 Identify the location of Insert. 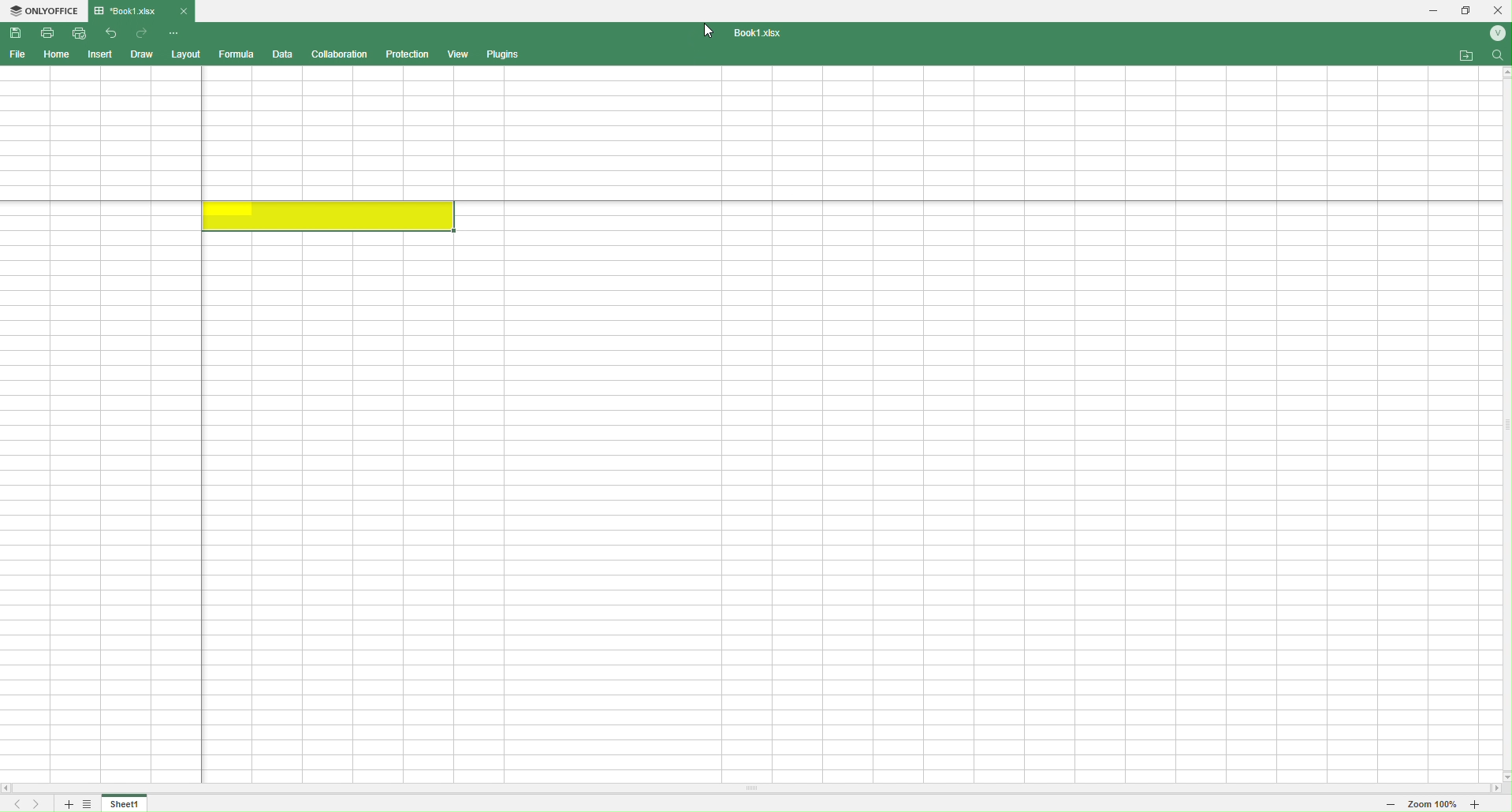
(99, 55).